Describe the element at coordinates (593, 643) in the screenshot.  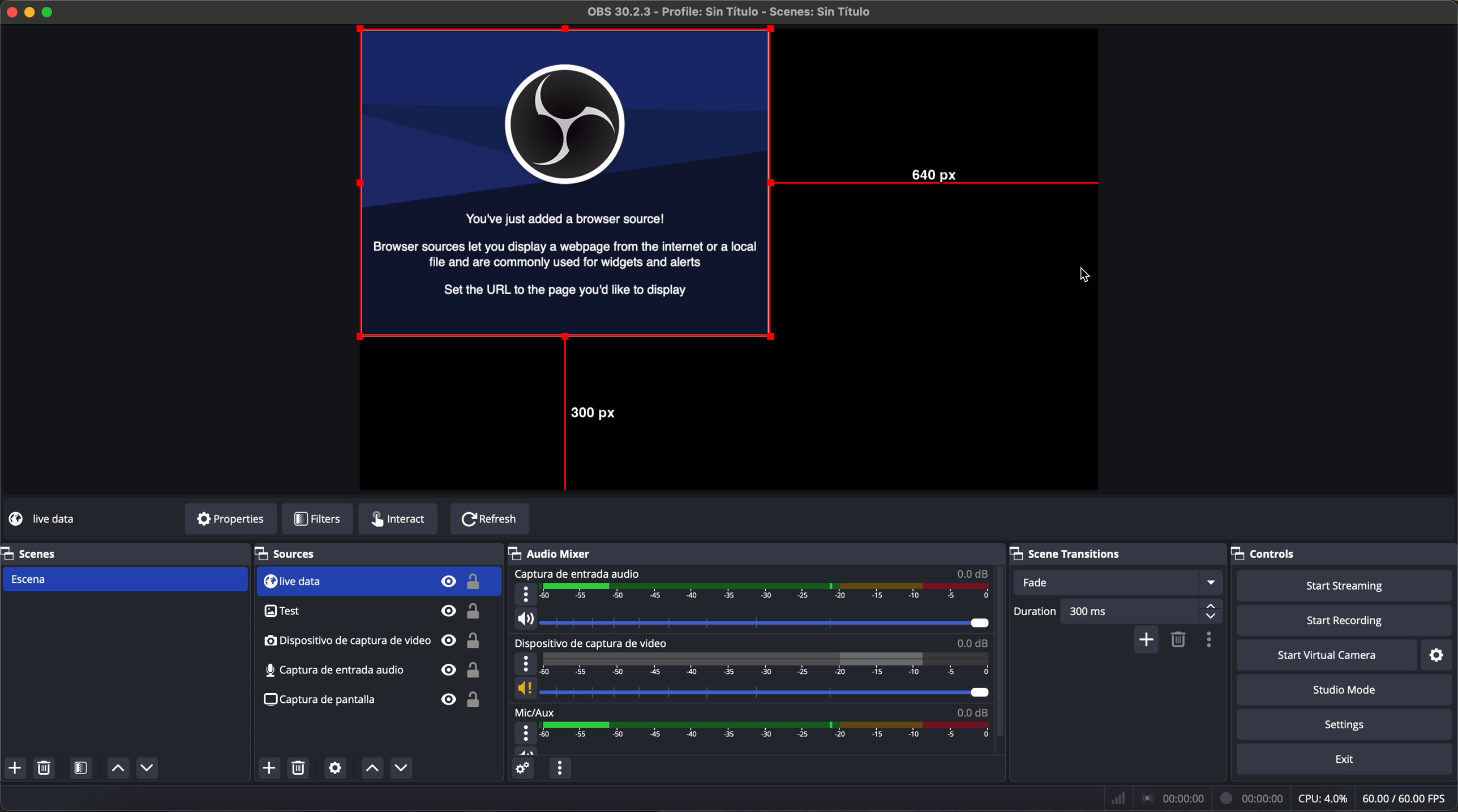
I see `video capture device` at that location.